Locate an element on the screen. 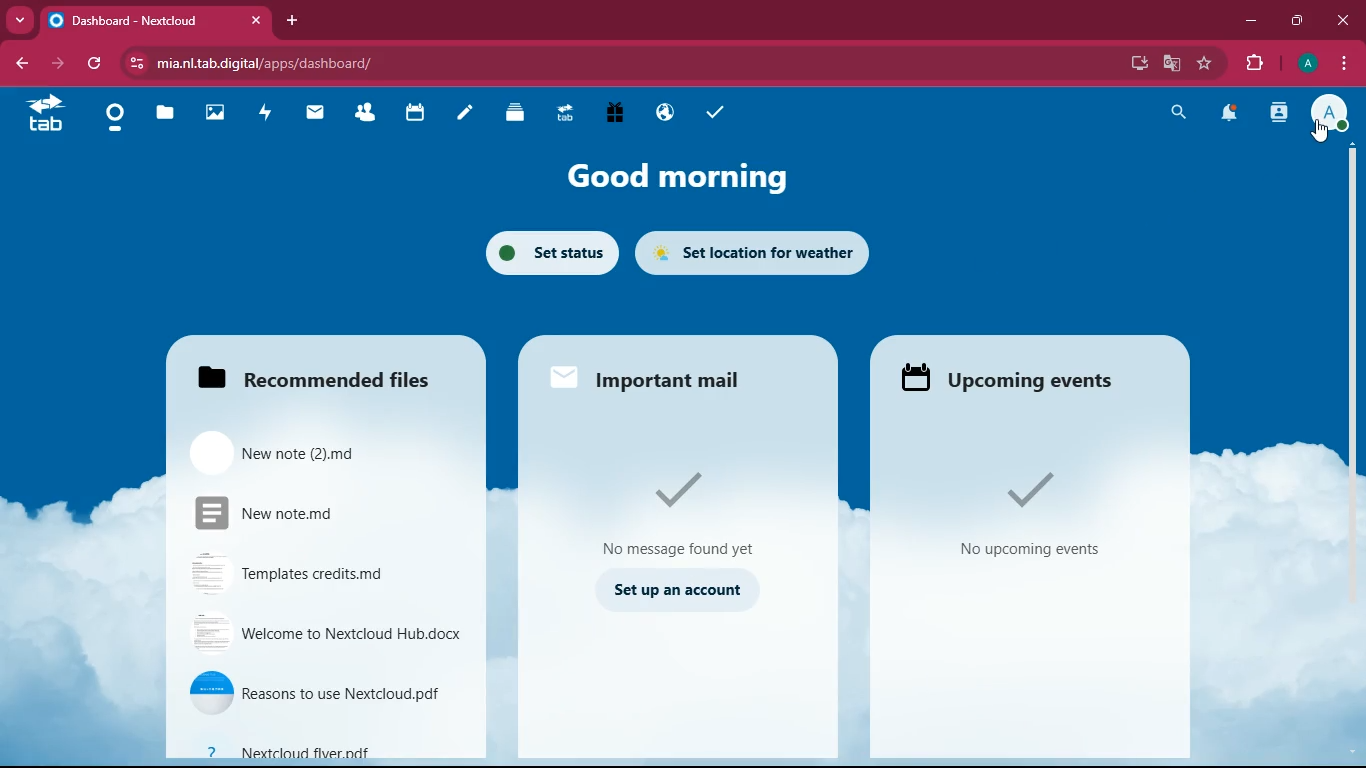 The height and width of the screenshot is (768, 1366). desktop is located at coordinates (1138, 63).